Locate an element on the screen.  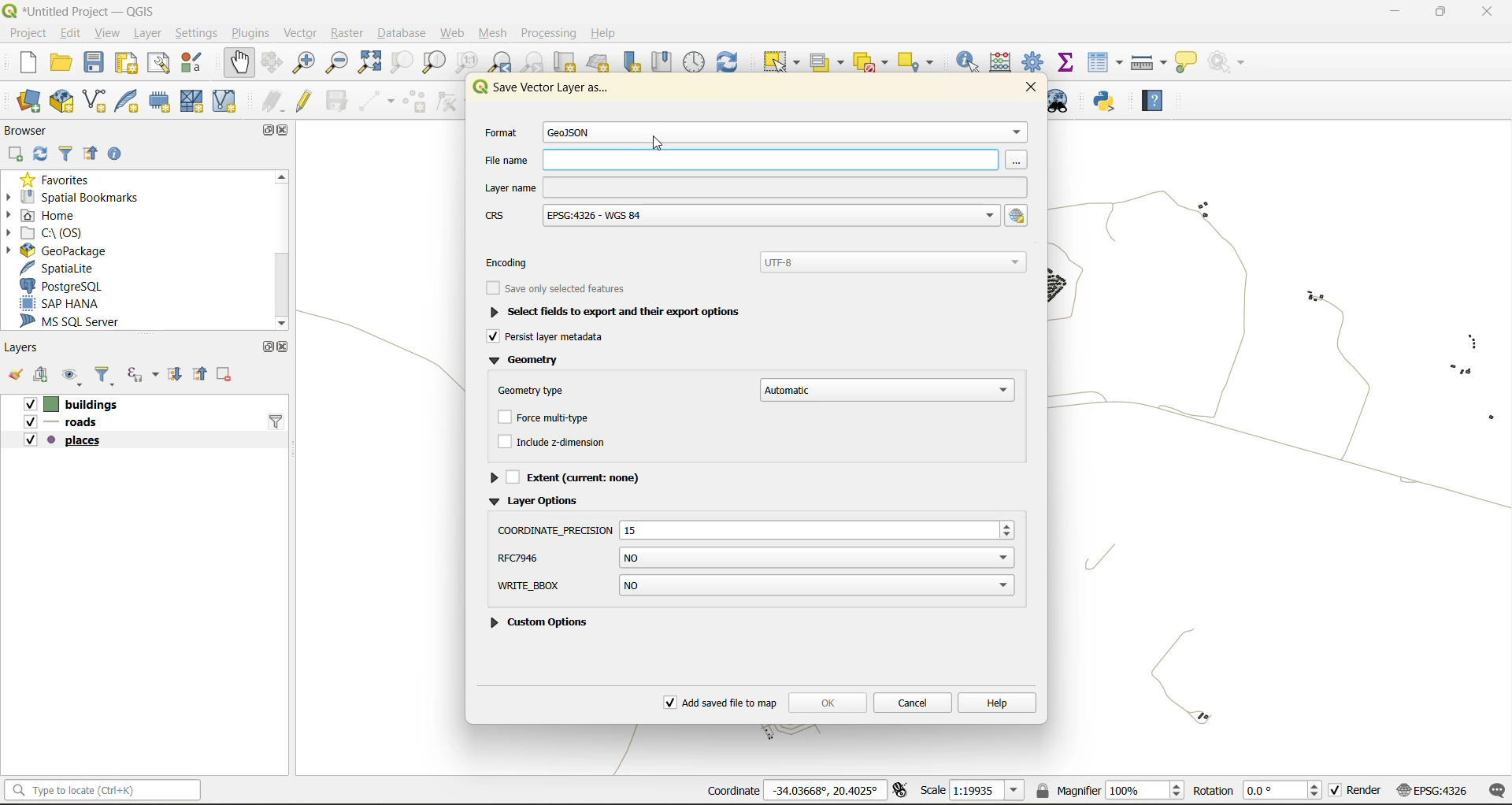
spatialite is located at coordinates (57, 267).